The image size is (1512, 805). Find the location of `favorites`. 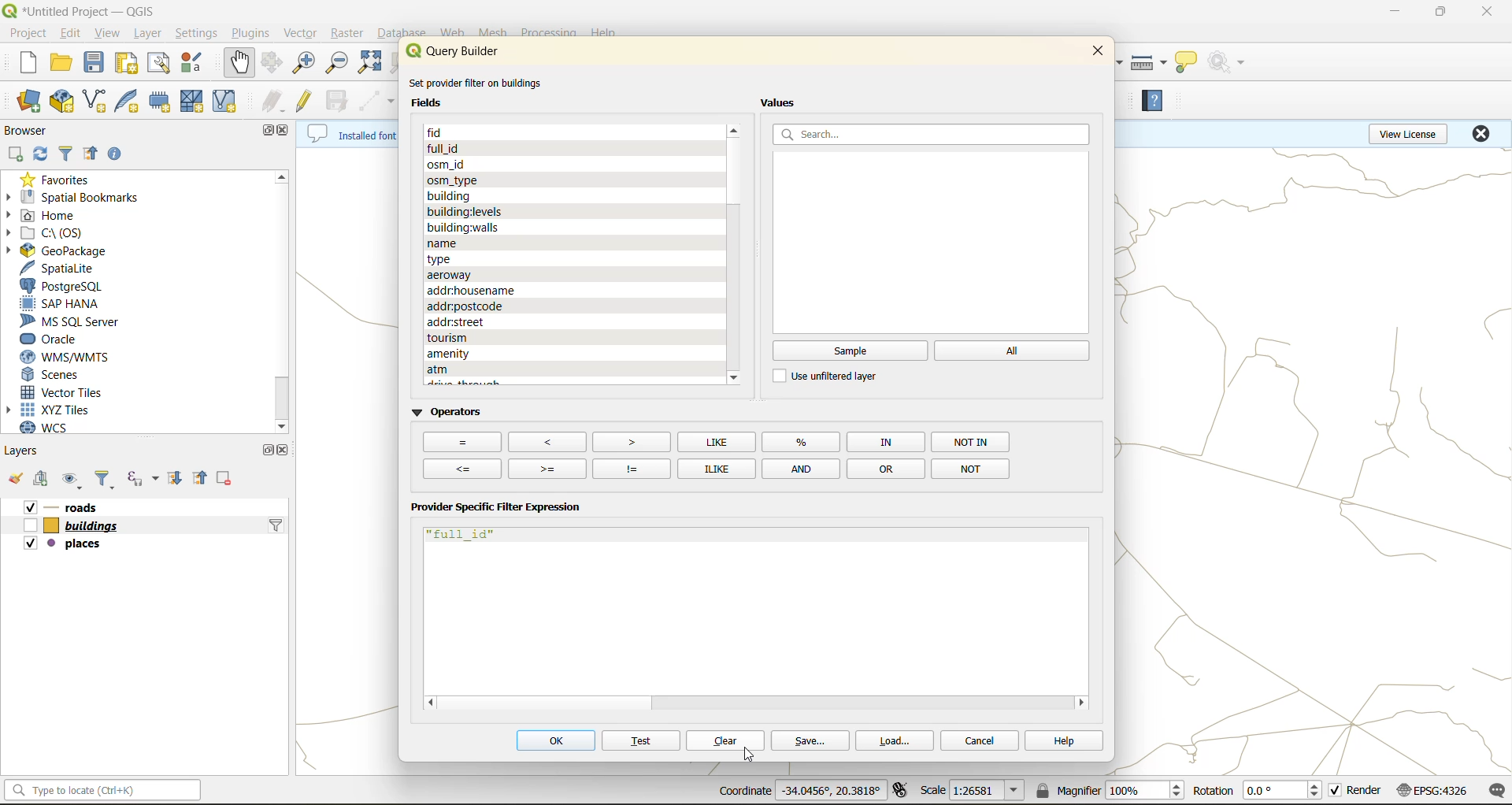

favorites is located at coordinates (61, 179).